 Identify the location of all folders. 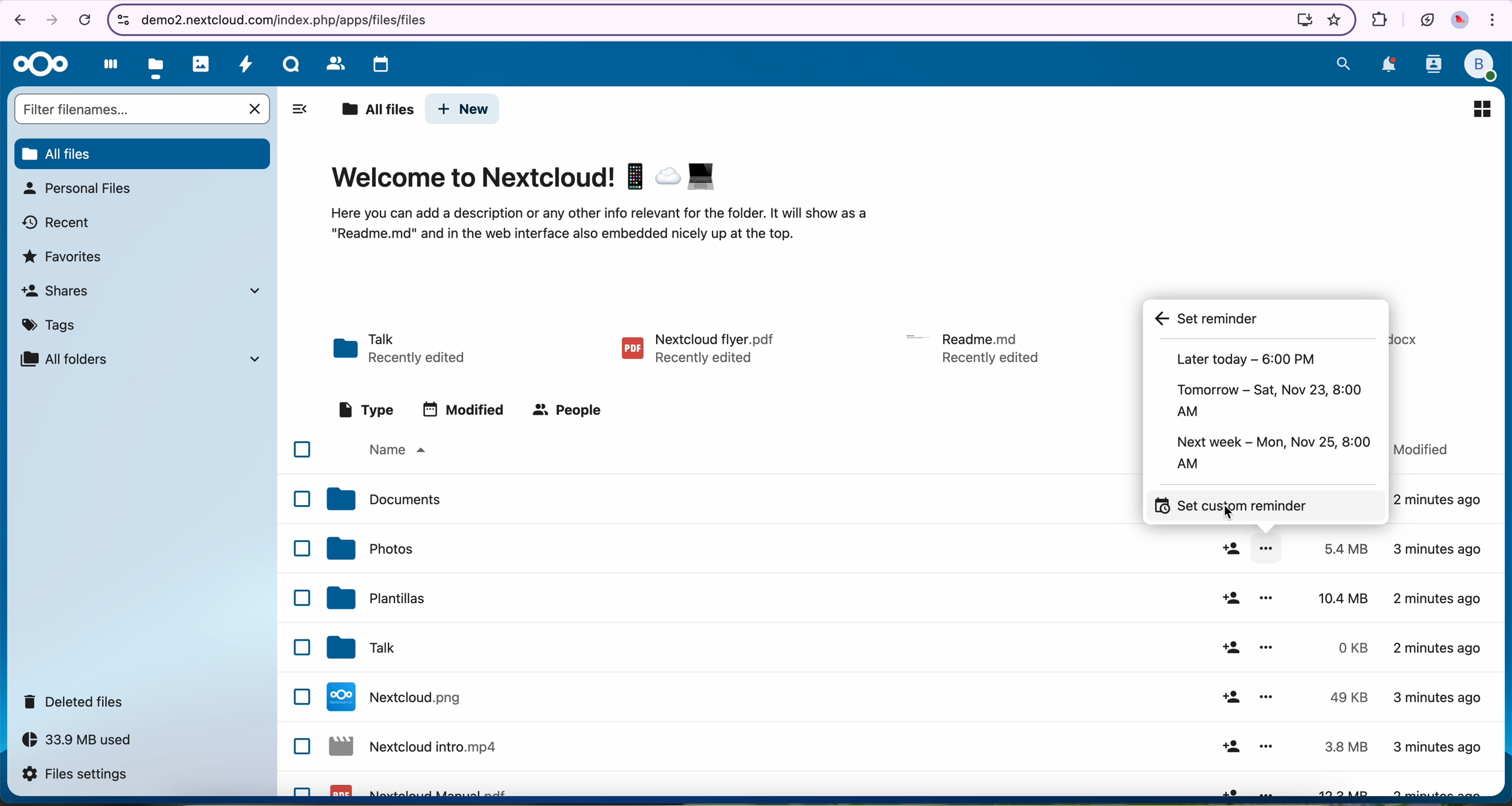
(146, 358).